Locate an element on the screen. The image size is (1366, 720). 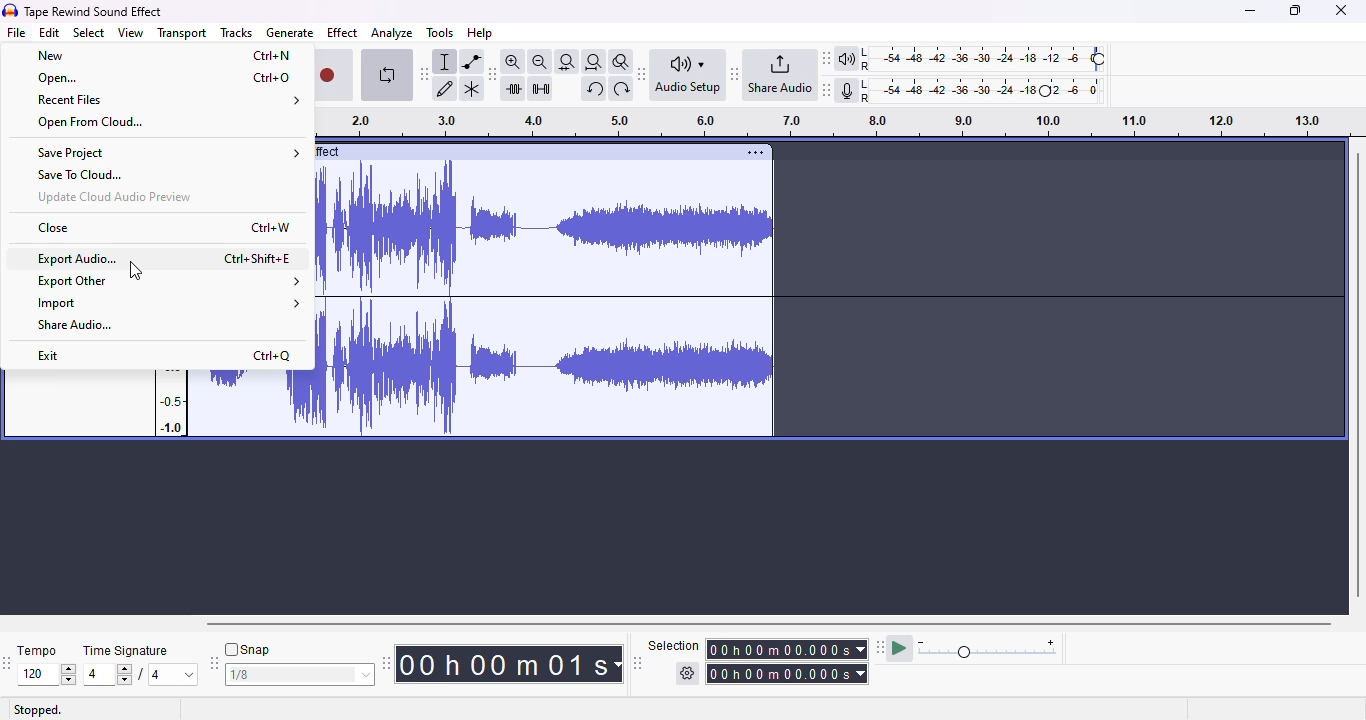
exit is located at coordinates (50, 355).